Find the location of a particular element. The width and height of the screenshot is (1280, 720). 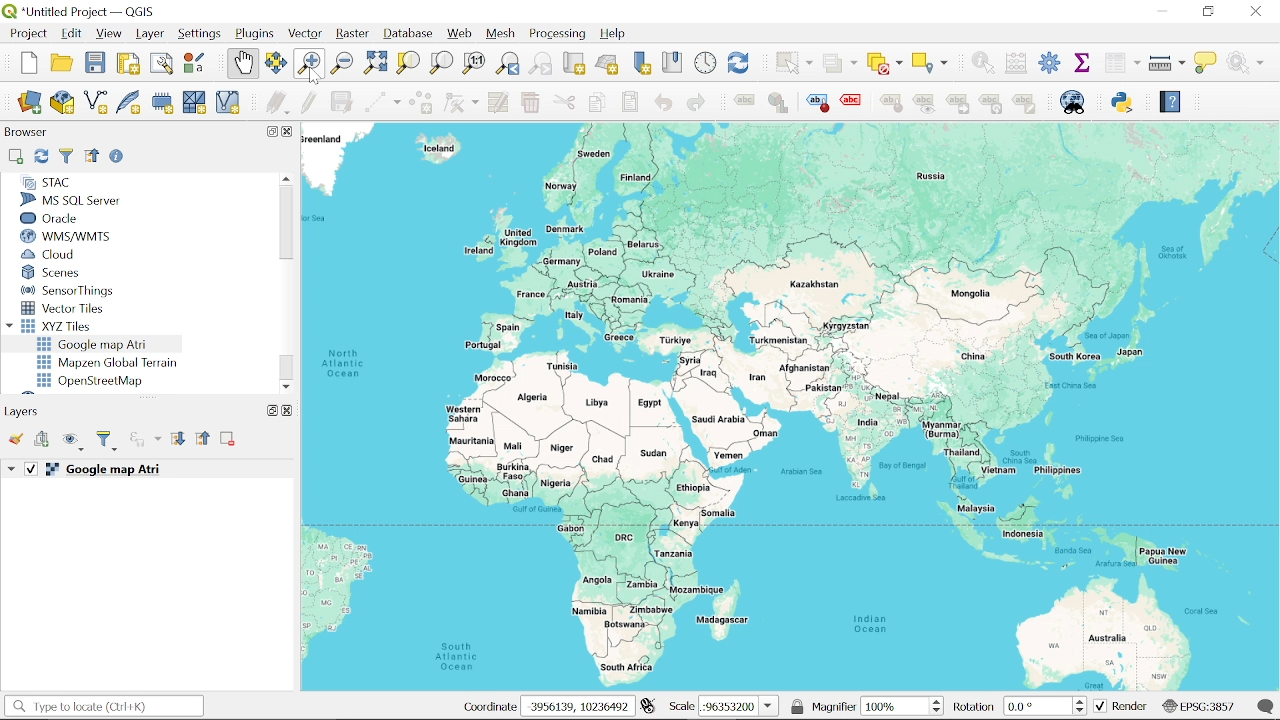

Zoom in is located at coordinates (308, 64).